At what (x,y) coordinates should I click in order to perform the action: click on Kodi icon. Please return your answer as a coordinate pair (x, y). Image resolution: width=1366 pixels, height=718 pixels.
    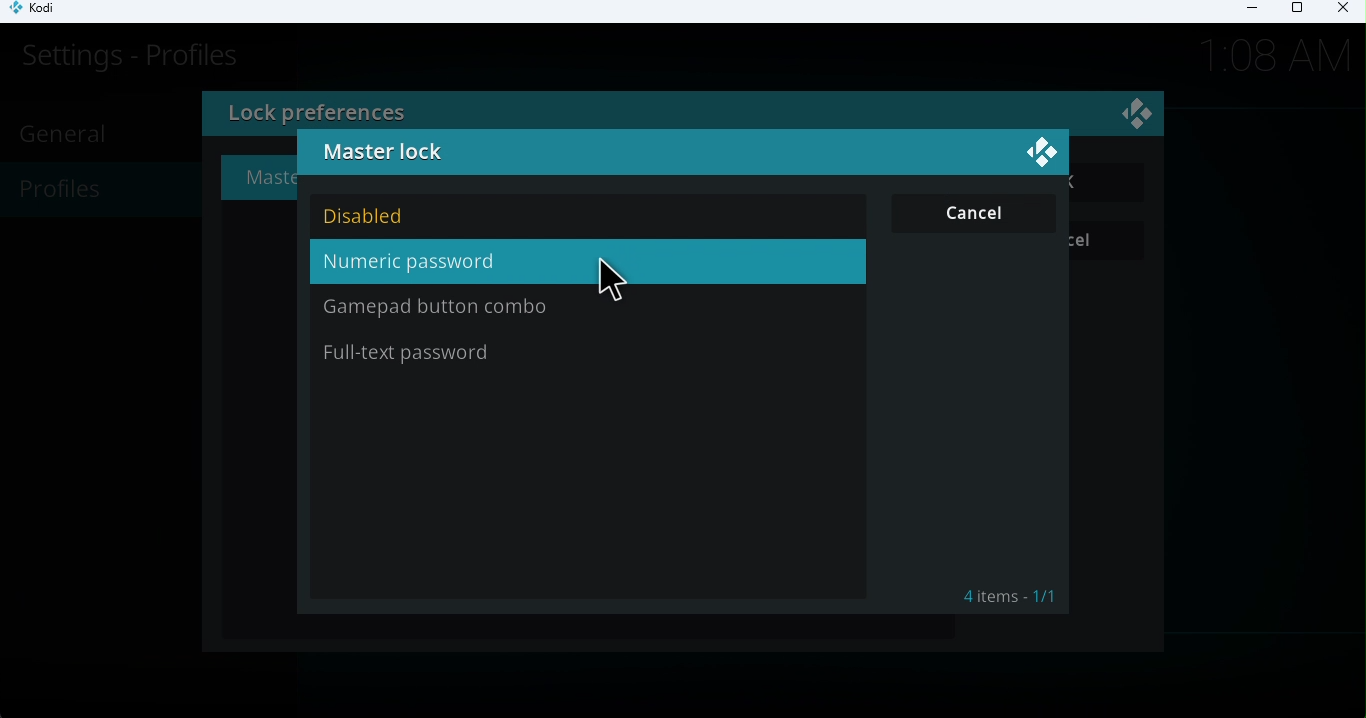
    Looking at the image, I should click on (42, 12).